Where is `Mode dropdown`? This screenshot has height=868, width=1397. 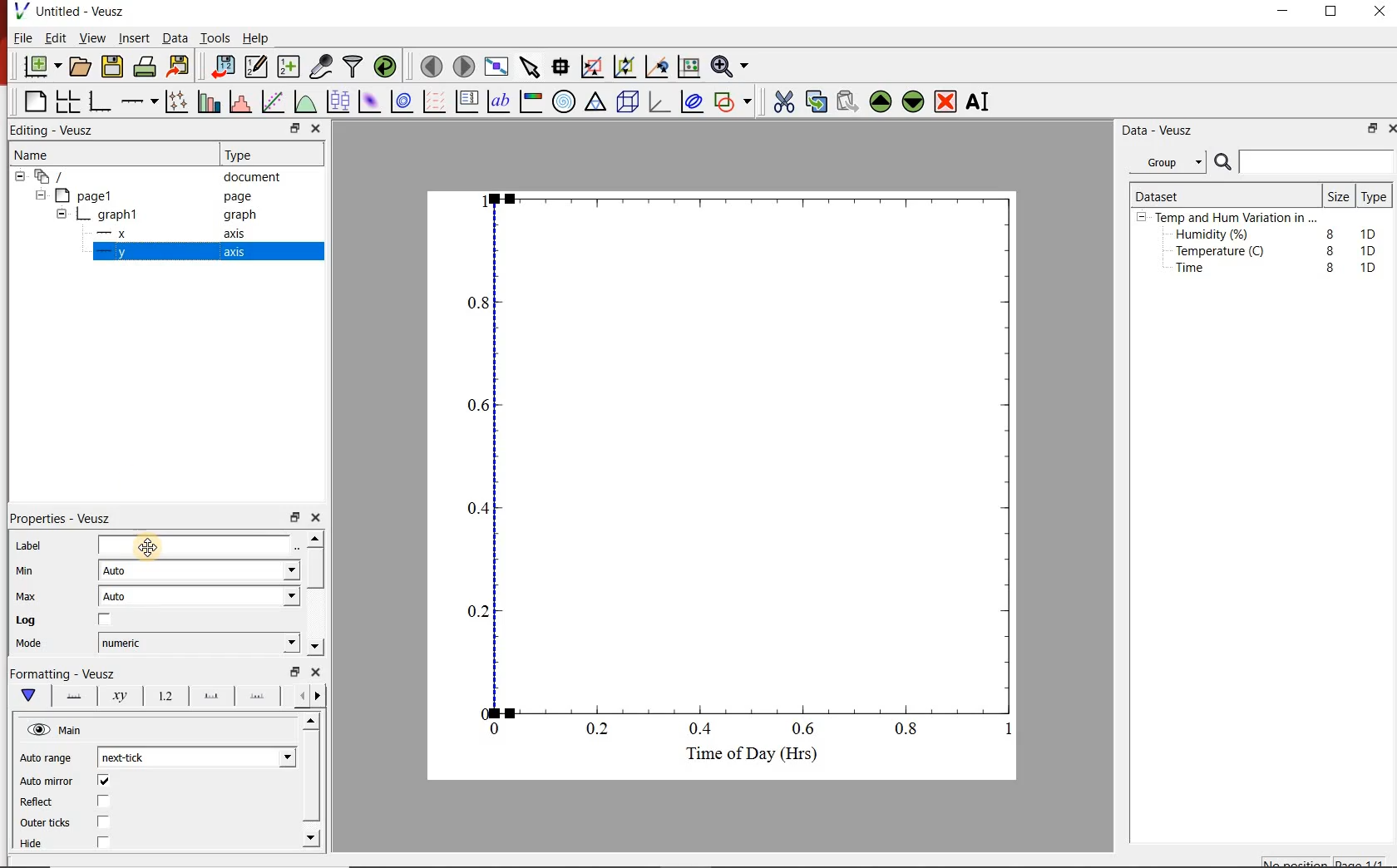 Mode dropdown is located at coordinates (272, 643).